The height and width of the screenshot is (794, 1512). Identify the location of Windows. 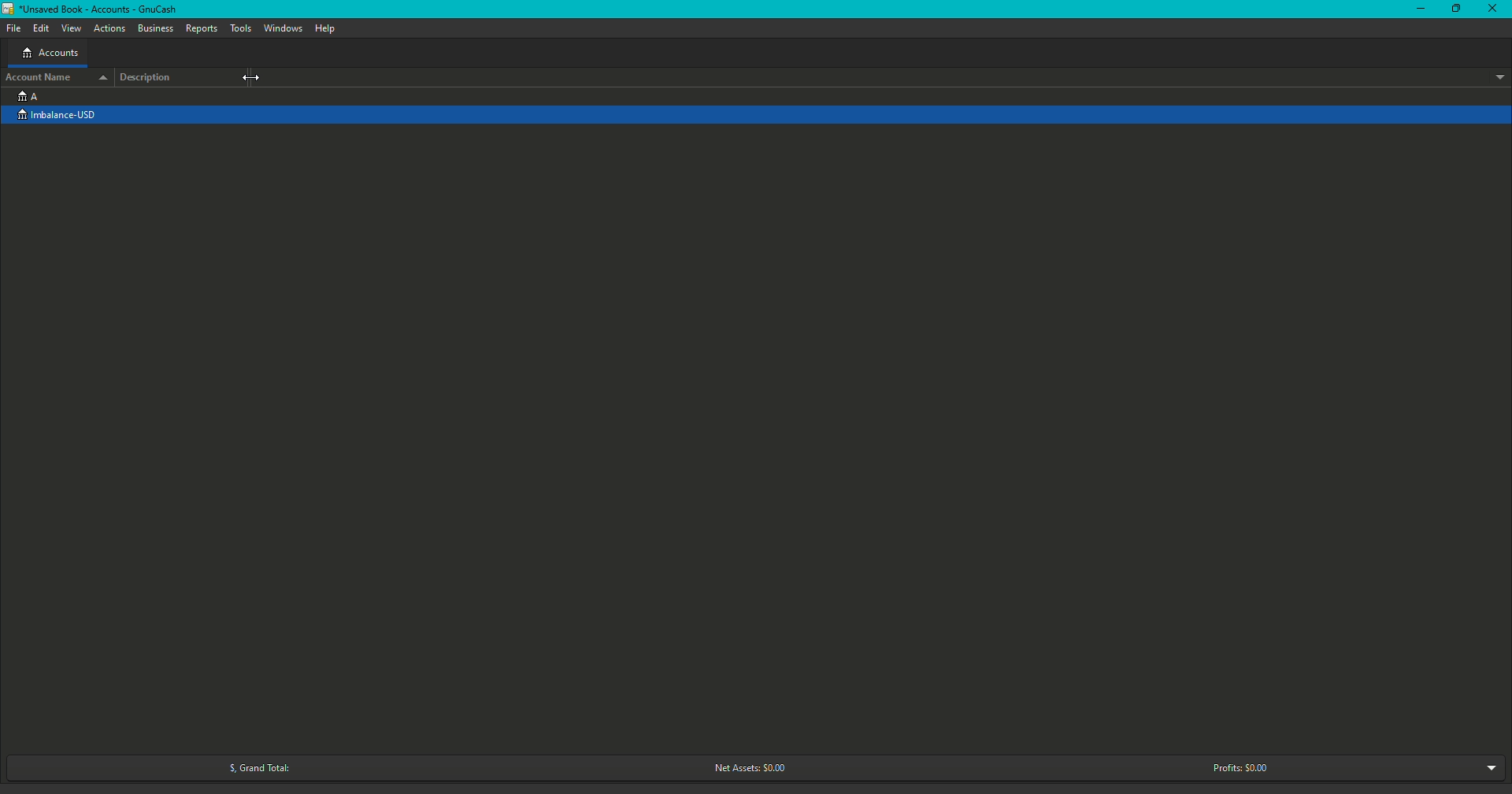
(283, 28).